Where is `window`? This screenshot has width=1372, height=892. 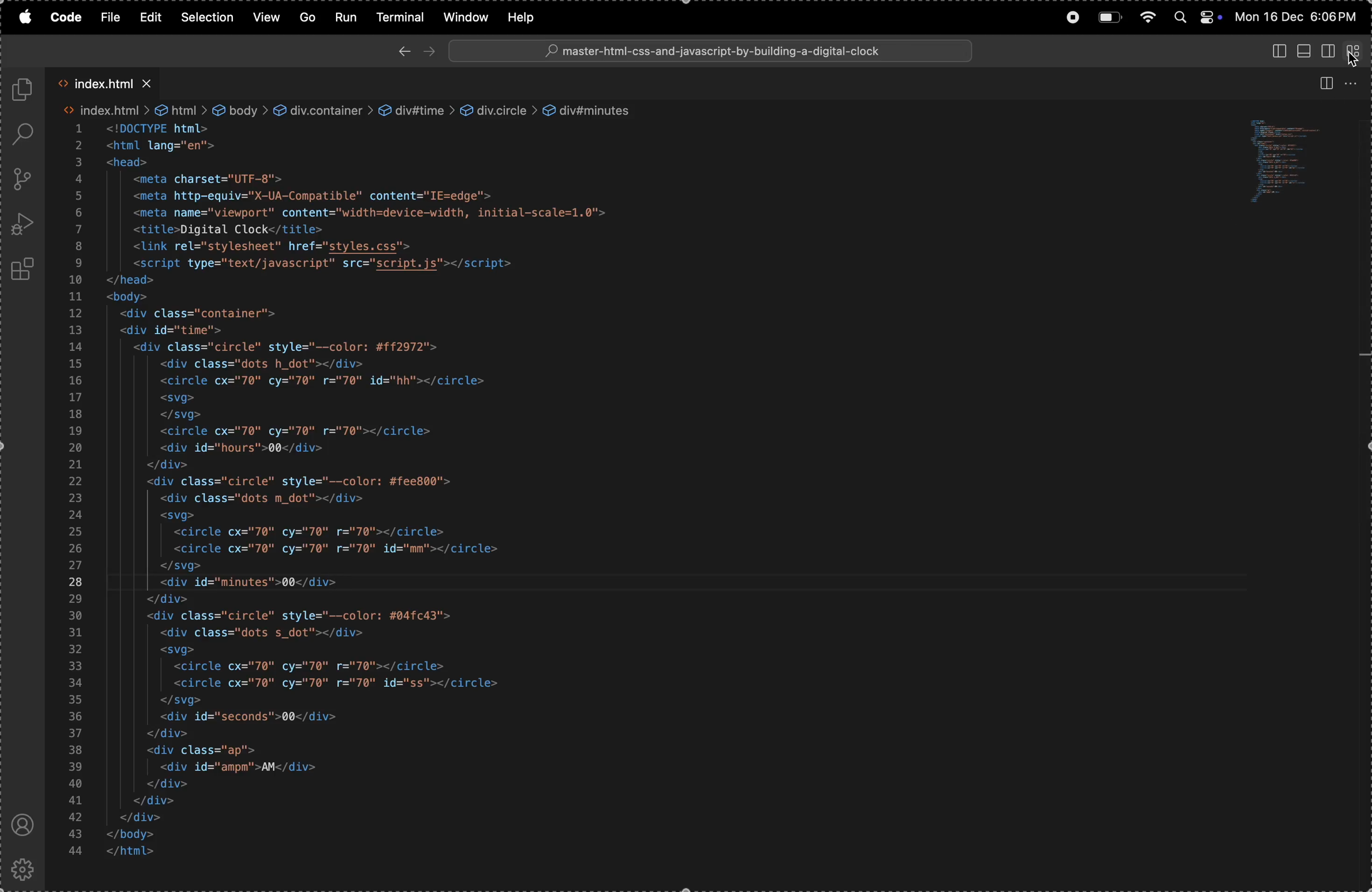 window is located at coordinates (463, 17).